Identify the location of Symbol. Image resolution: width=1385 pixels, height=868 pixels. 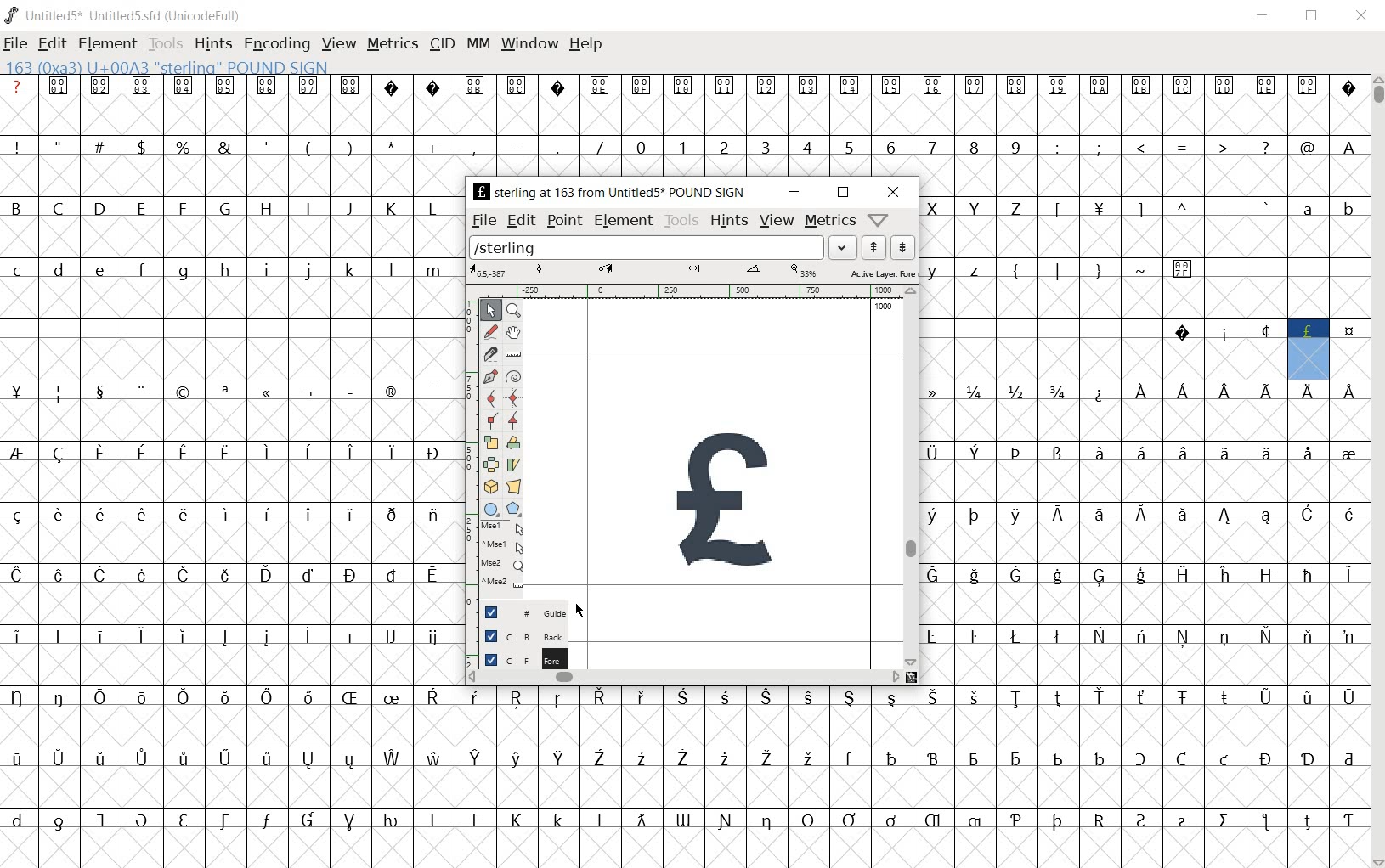
(307, 821).